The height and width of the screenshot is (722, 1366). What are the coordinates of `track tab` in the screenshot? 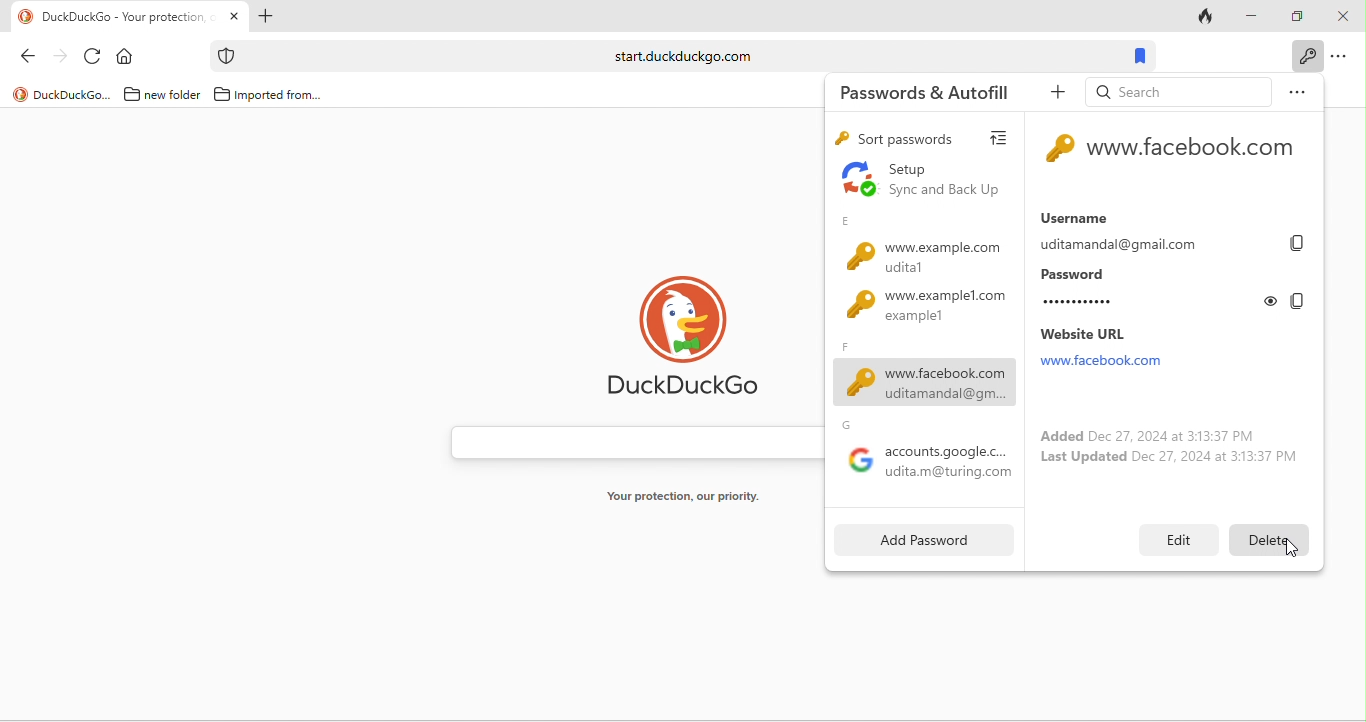 It's located at (1207, 20).